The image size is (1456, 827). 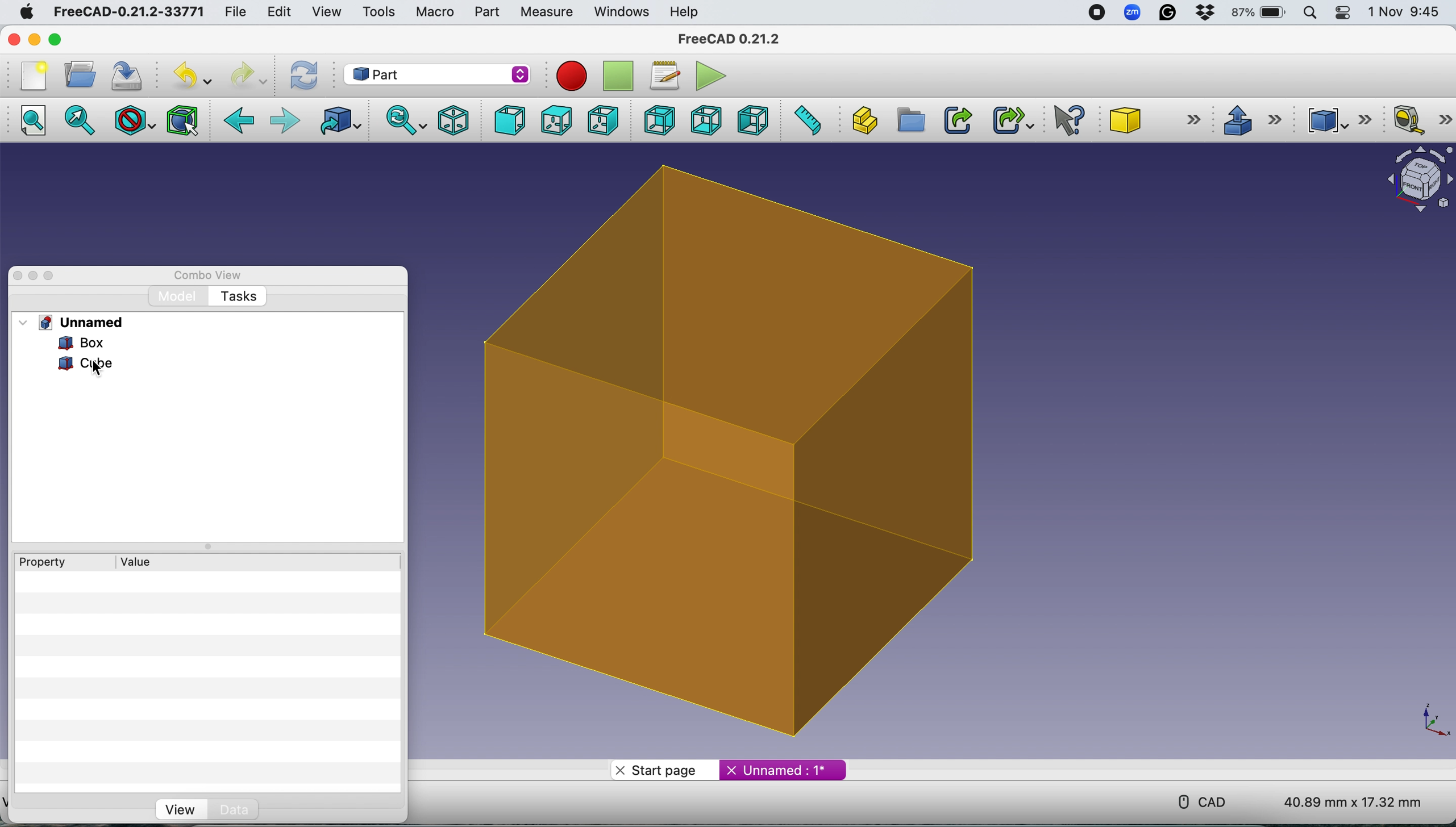 I want to click on 40.89 mm x 17.32 mm, so click(x=1343, y=800).